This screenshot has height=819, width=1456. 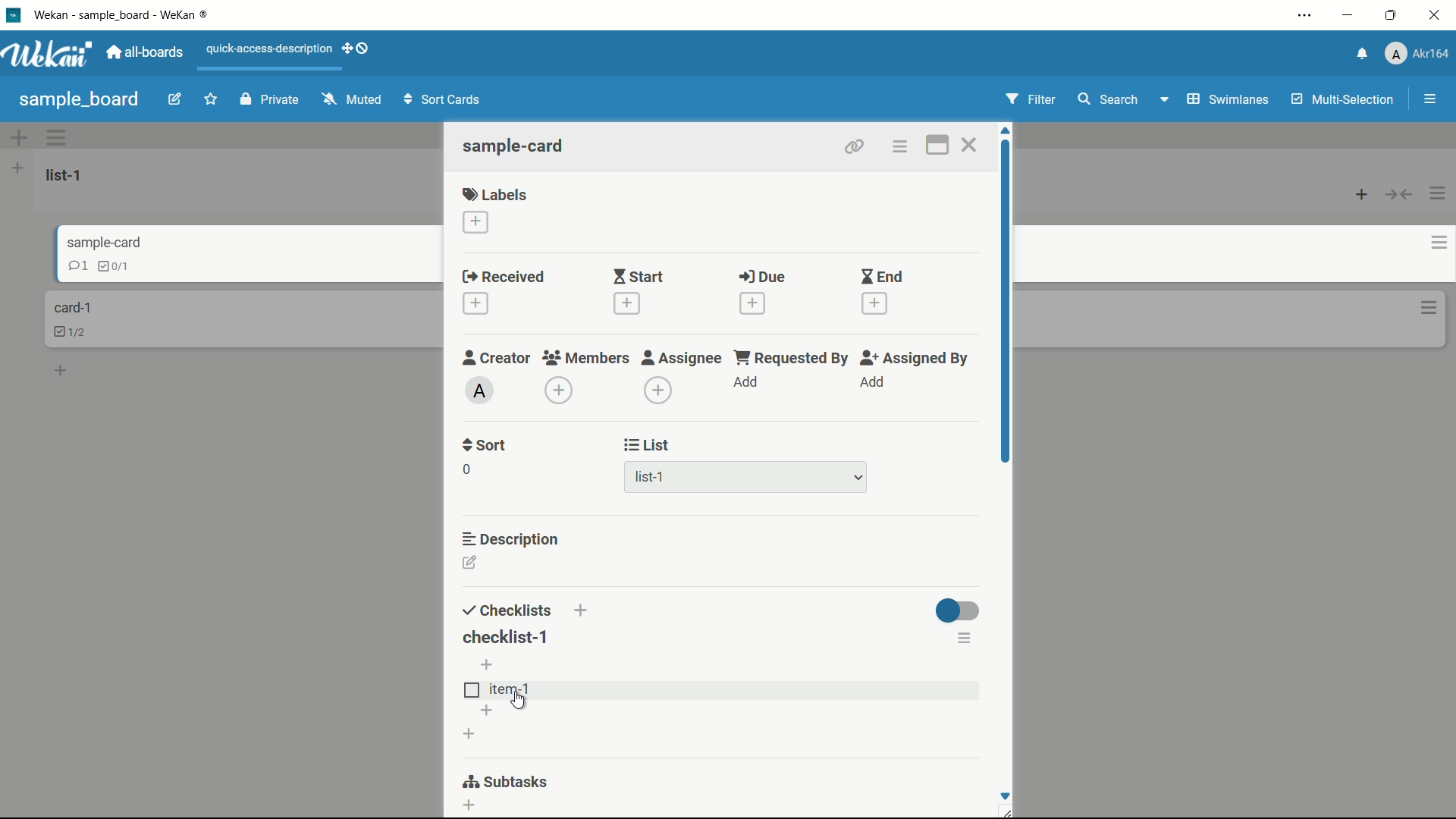 What do you see at coordinates (356, 49) in the screenshot?
I see `show-desktop-drag-handles` at bounding box center [356, 49].